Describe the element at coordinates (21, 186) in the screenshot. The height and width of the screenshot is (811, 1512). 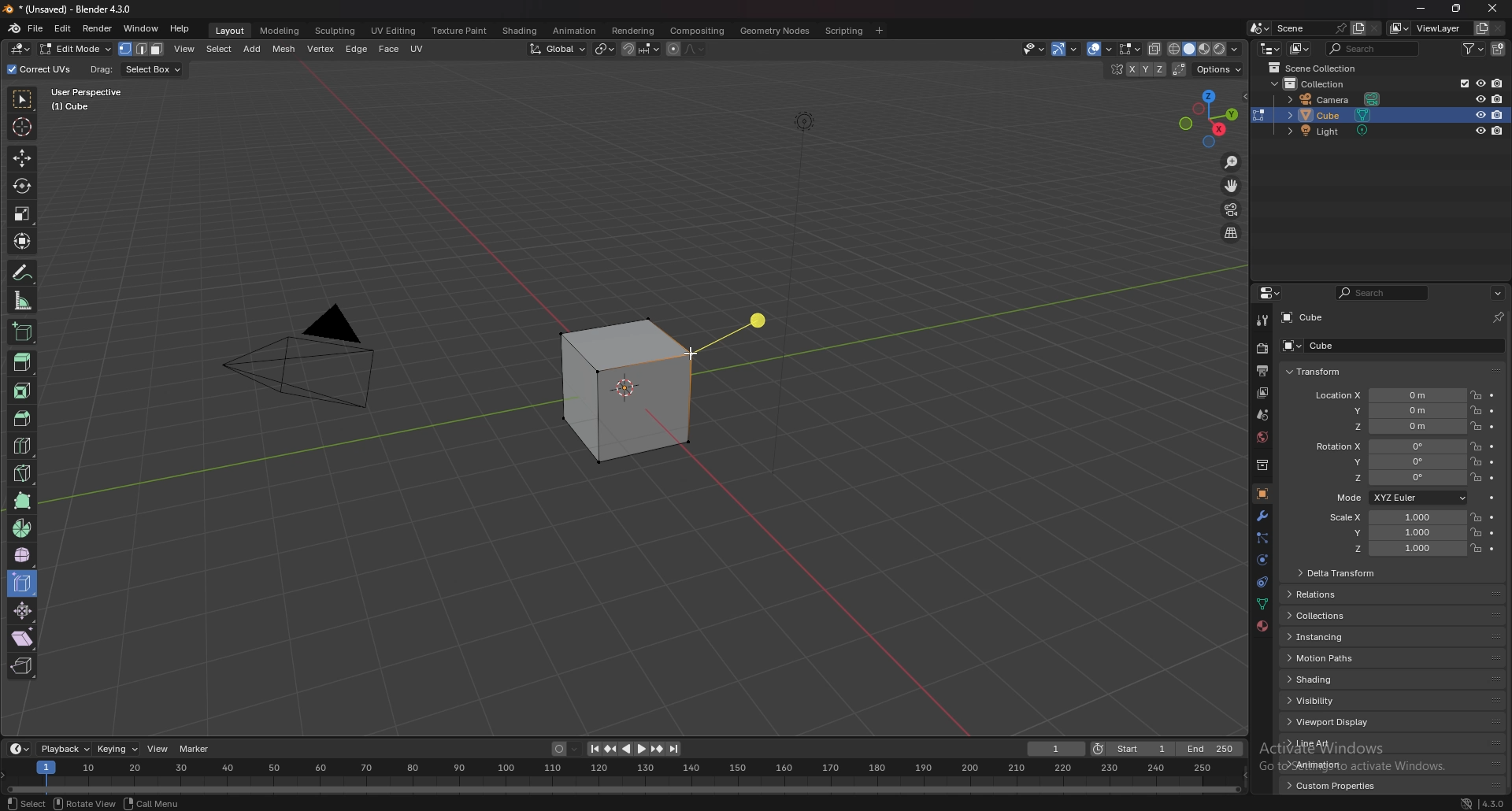
I see `rotate` at that location.